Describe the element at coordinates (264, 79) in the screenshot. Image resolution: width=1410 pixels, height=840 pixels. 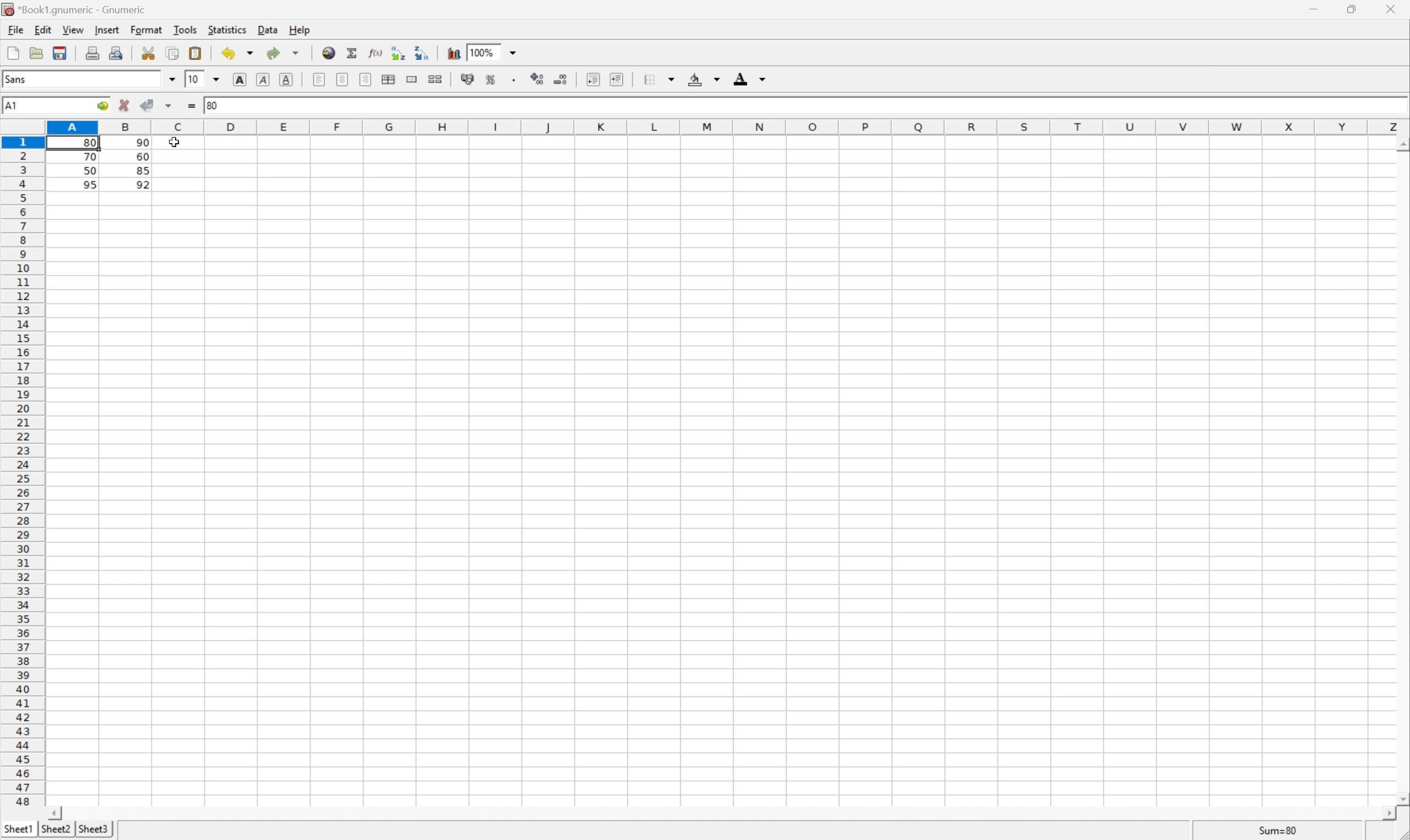
I see `Italic` at that location.